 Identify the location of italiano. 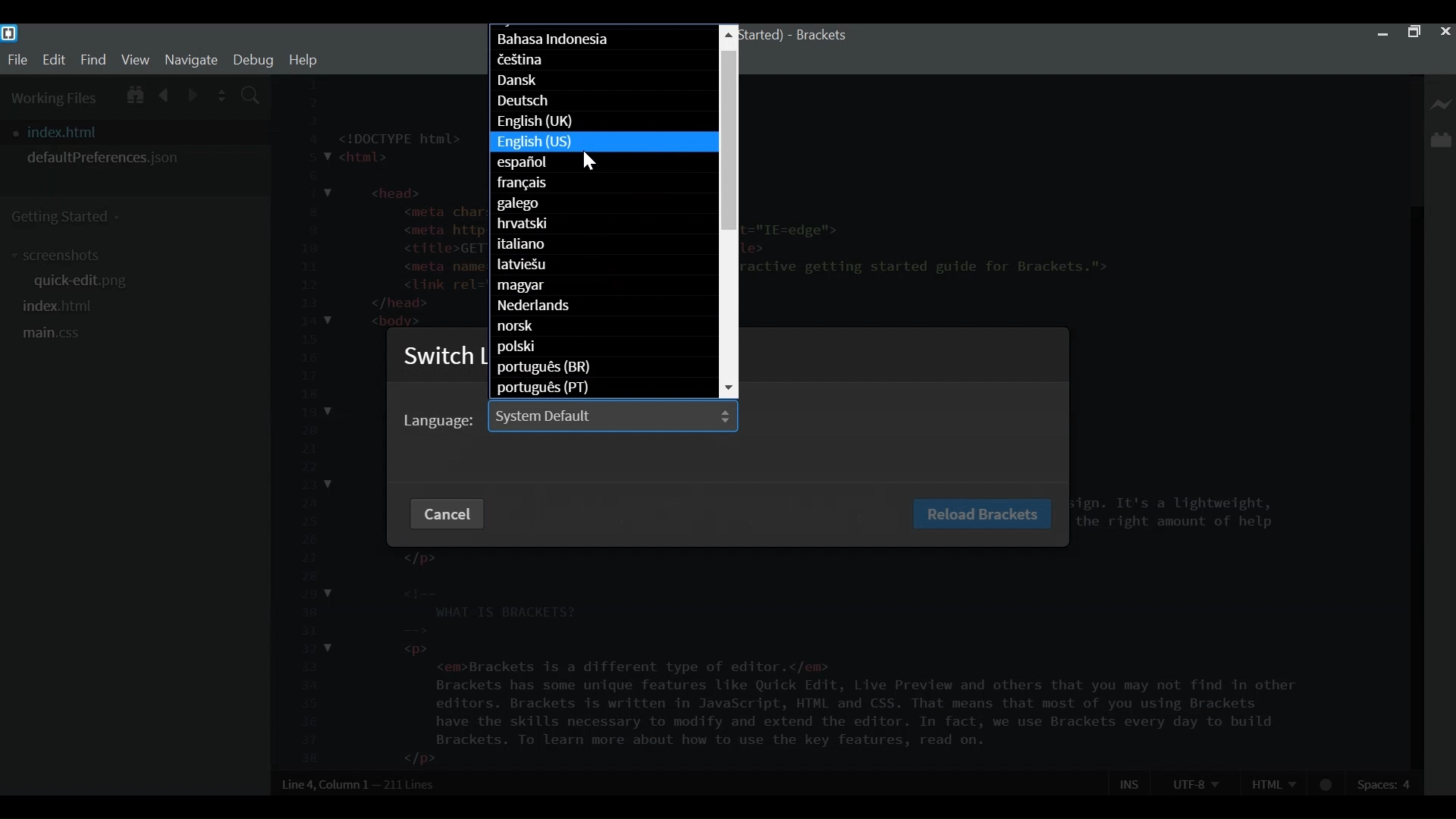
(602, 244).